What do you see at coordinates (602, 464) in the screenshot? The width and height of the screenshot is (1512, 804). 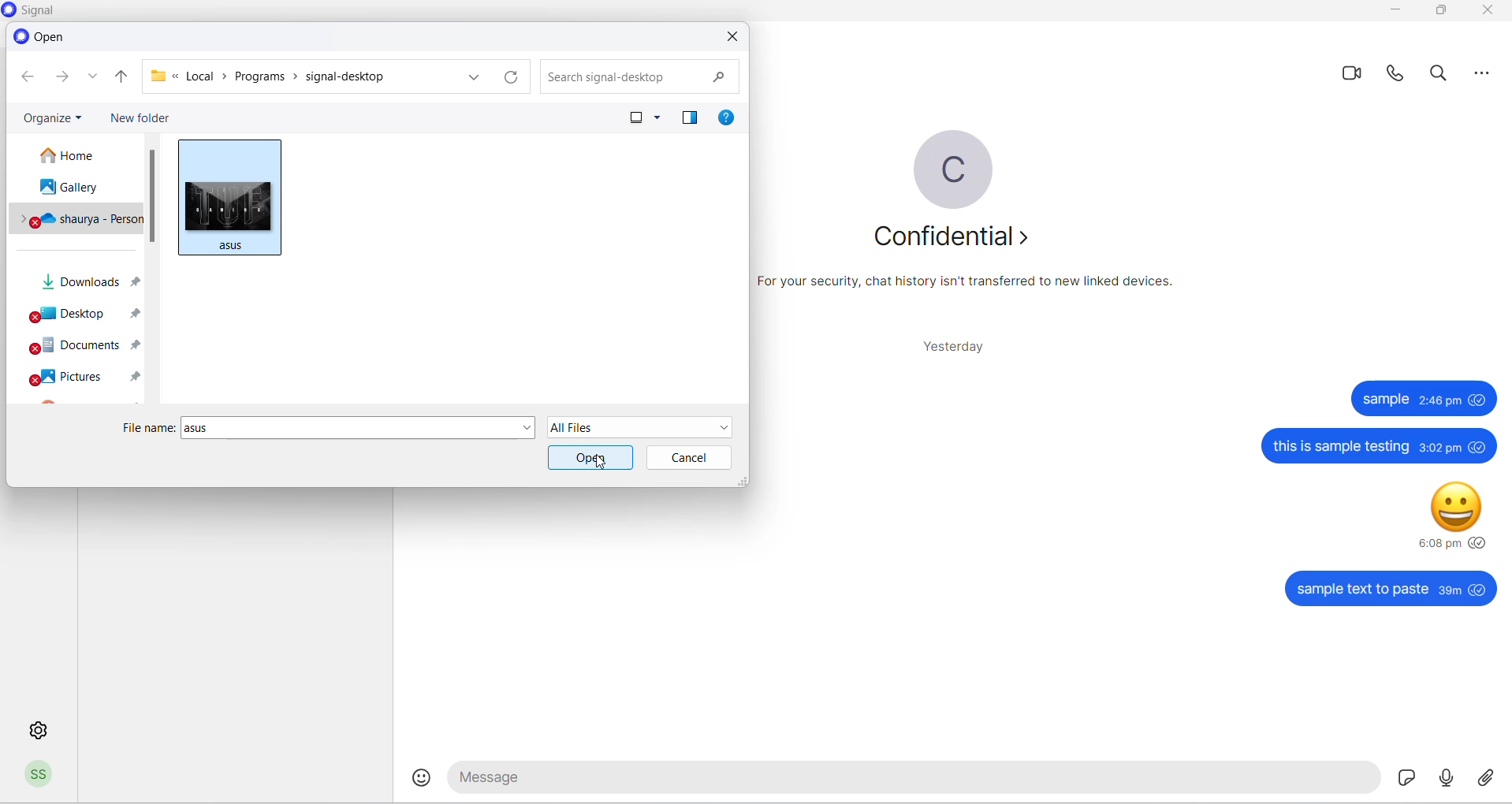 I see `cursor` at bounding box center [602, 464].